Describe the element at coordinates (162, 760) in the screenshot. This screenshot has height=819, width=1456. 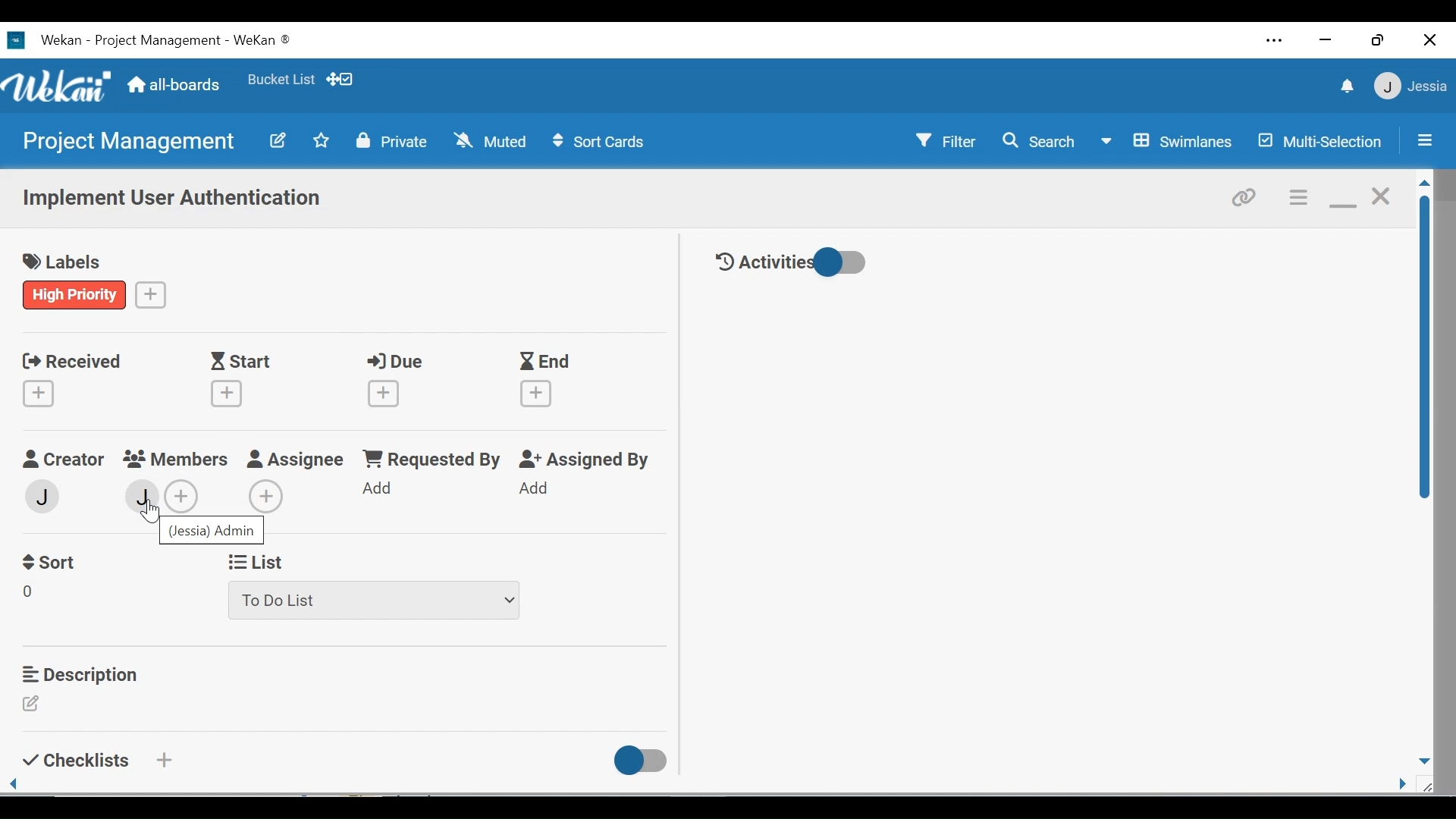
I see `add` at that location.